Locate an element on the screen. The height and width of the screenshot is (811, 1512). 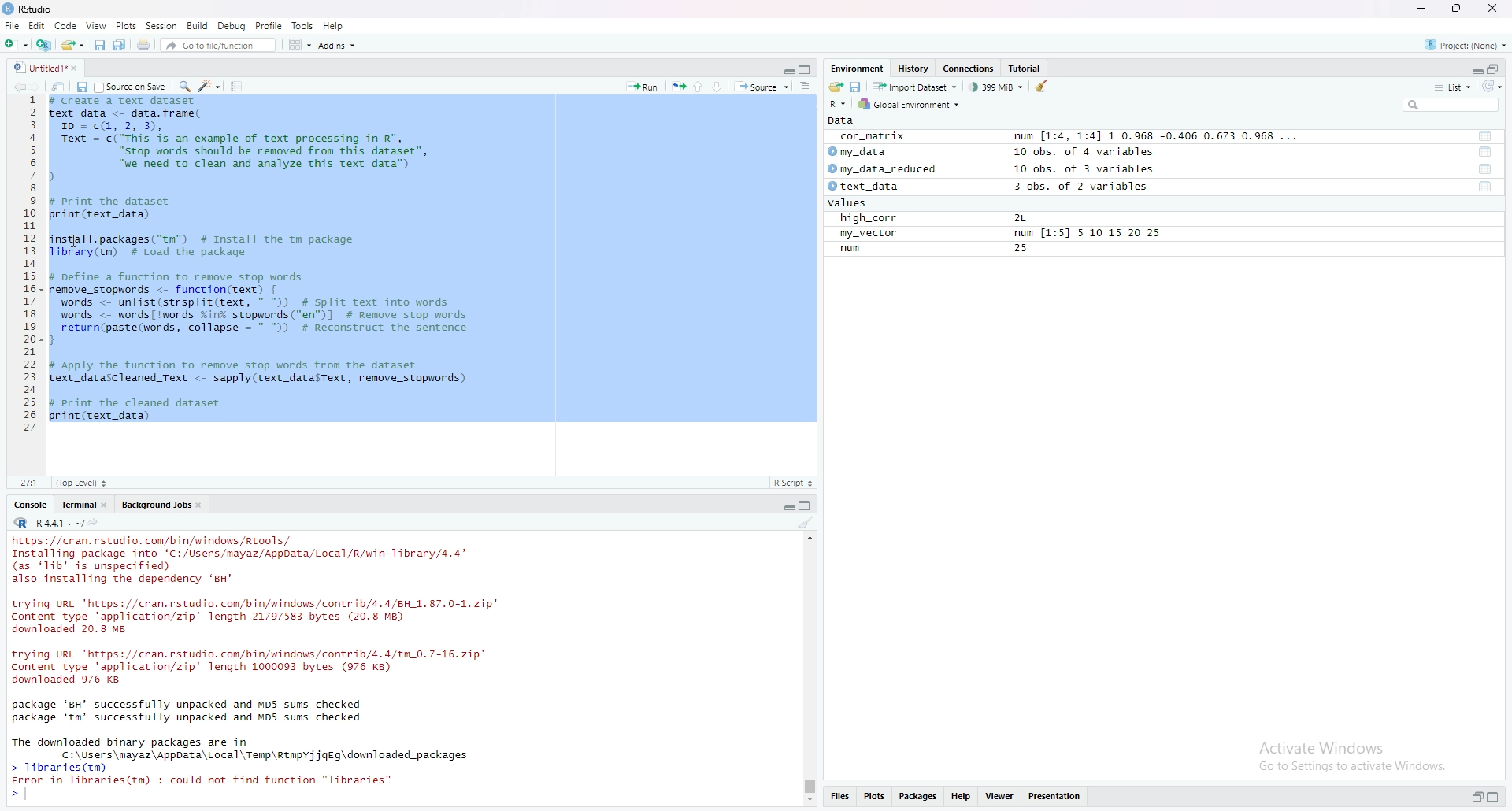
show document online is located at coordinates (806, 87).